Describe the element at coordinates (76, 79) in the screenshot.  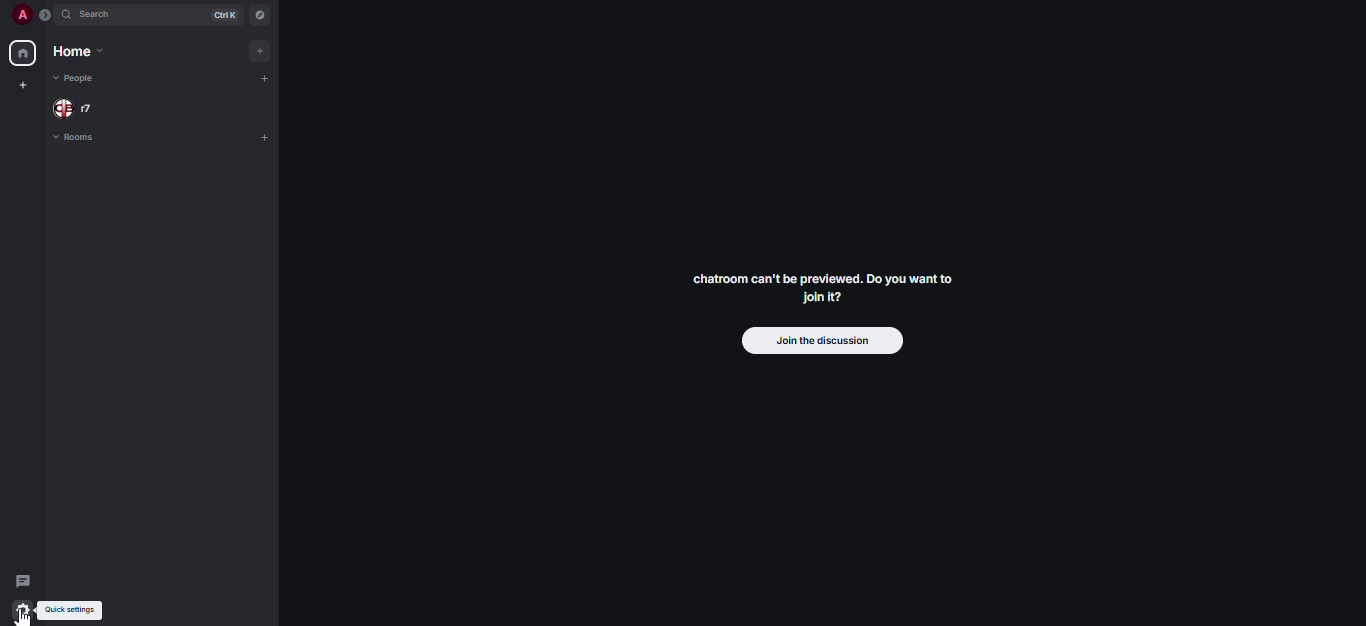
I see `people` at that location.